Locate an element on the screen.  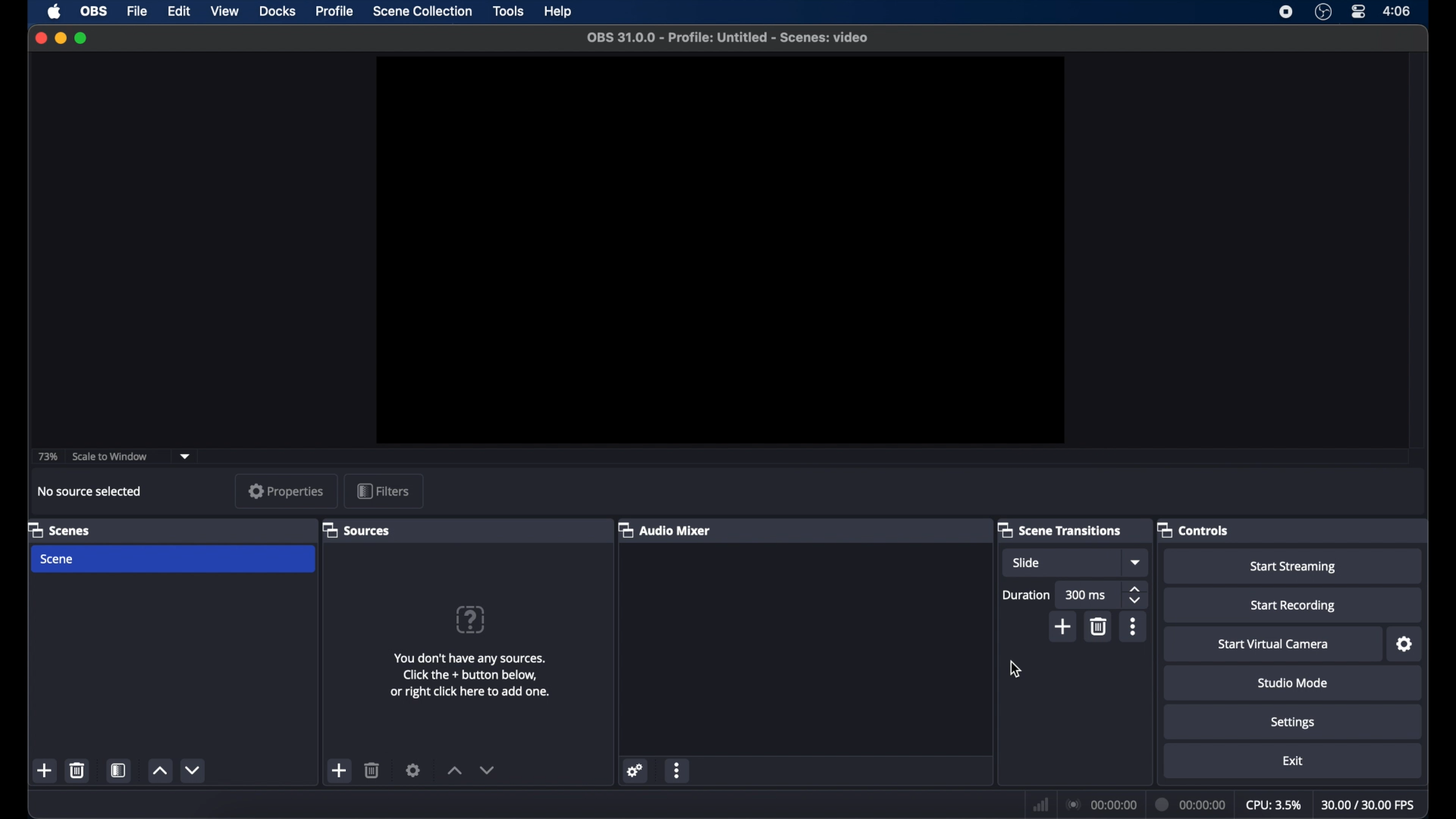
delete is located at coordinates (77, 770).